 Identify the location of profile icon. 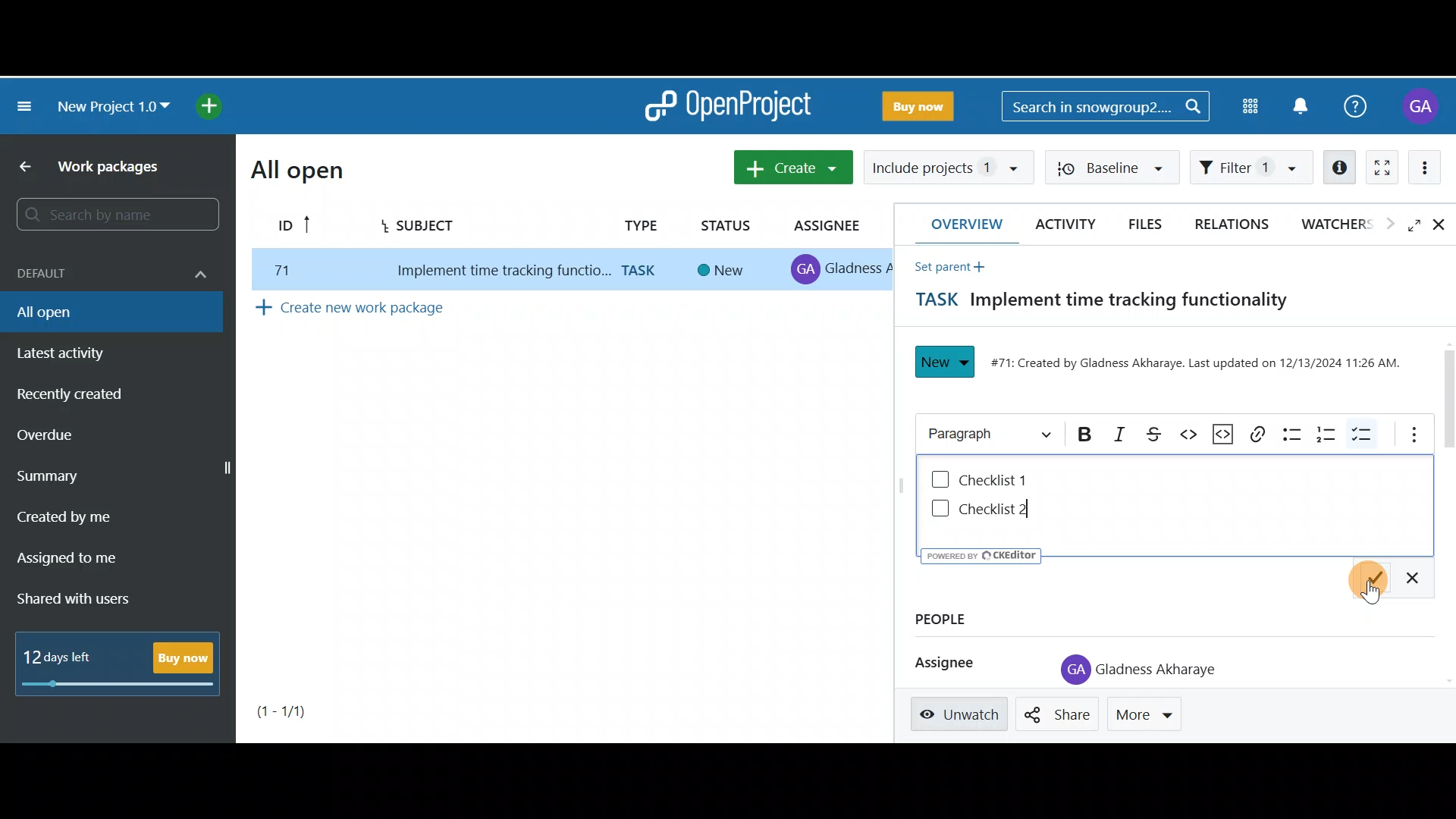
(1066, 670).